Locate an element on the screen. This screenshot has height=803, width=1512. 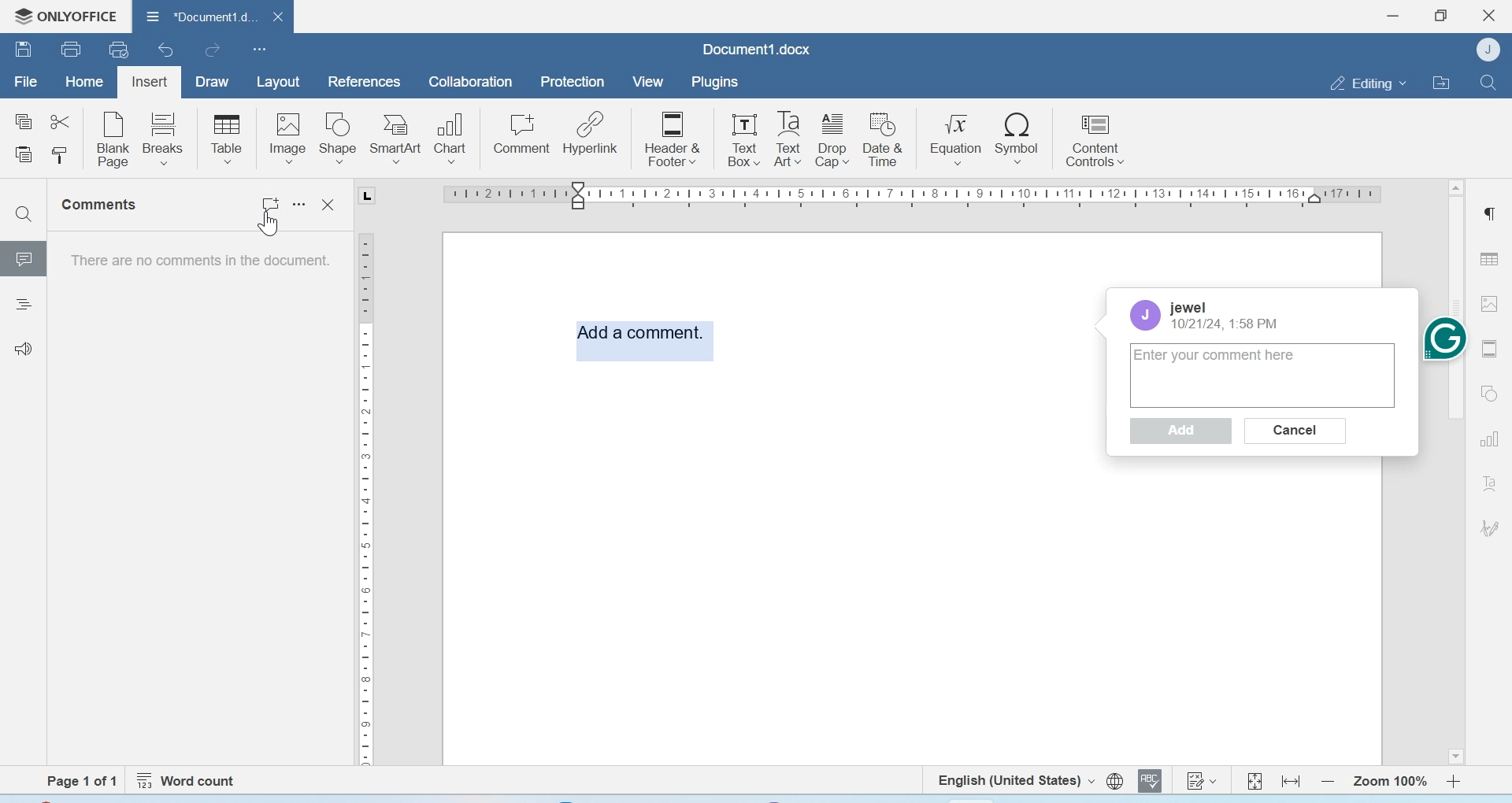
Spell checking is located at coordinates (1150, 780).